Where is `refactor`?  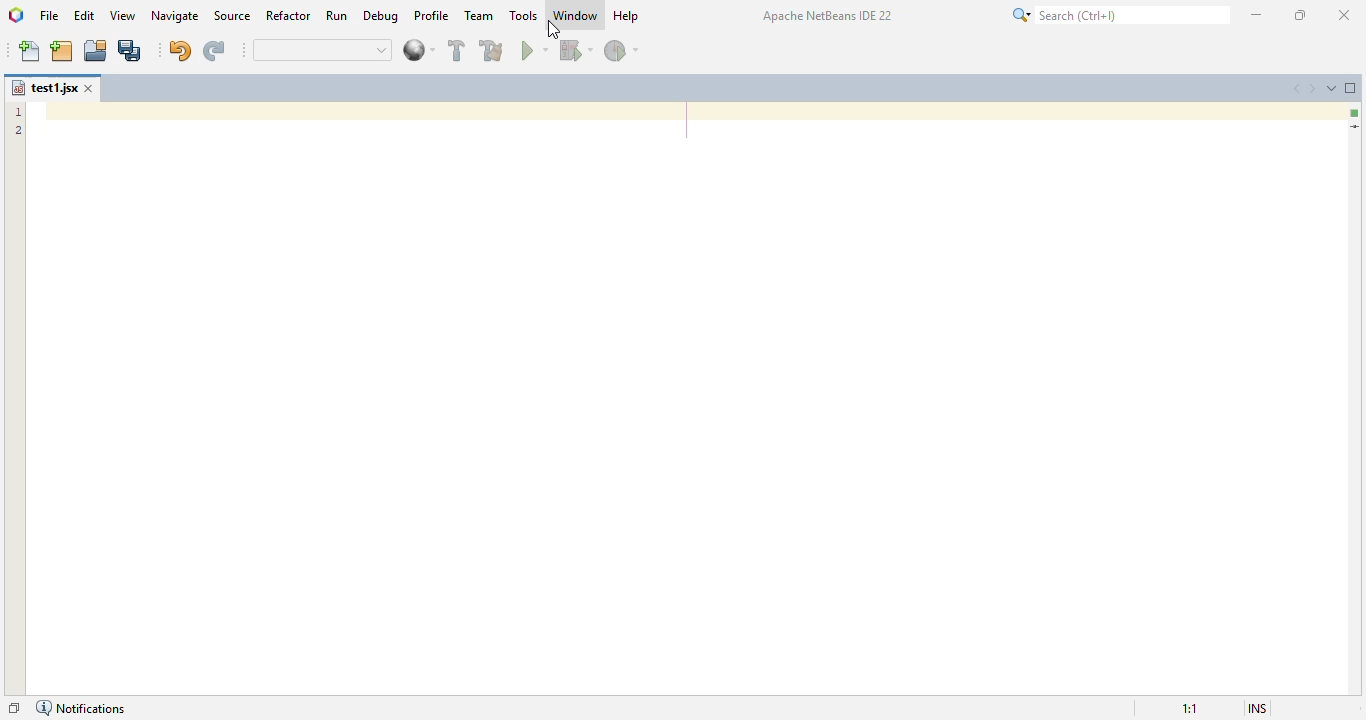
refactor is located at coordinates (289, 15).